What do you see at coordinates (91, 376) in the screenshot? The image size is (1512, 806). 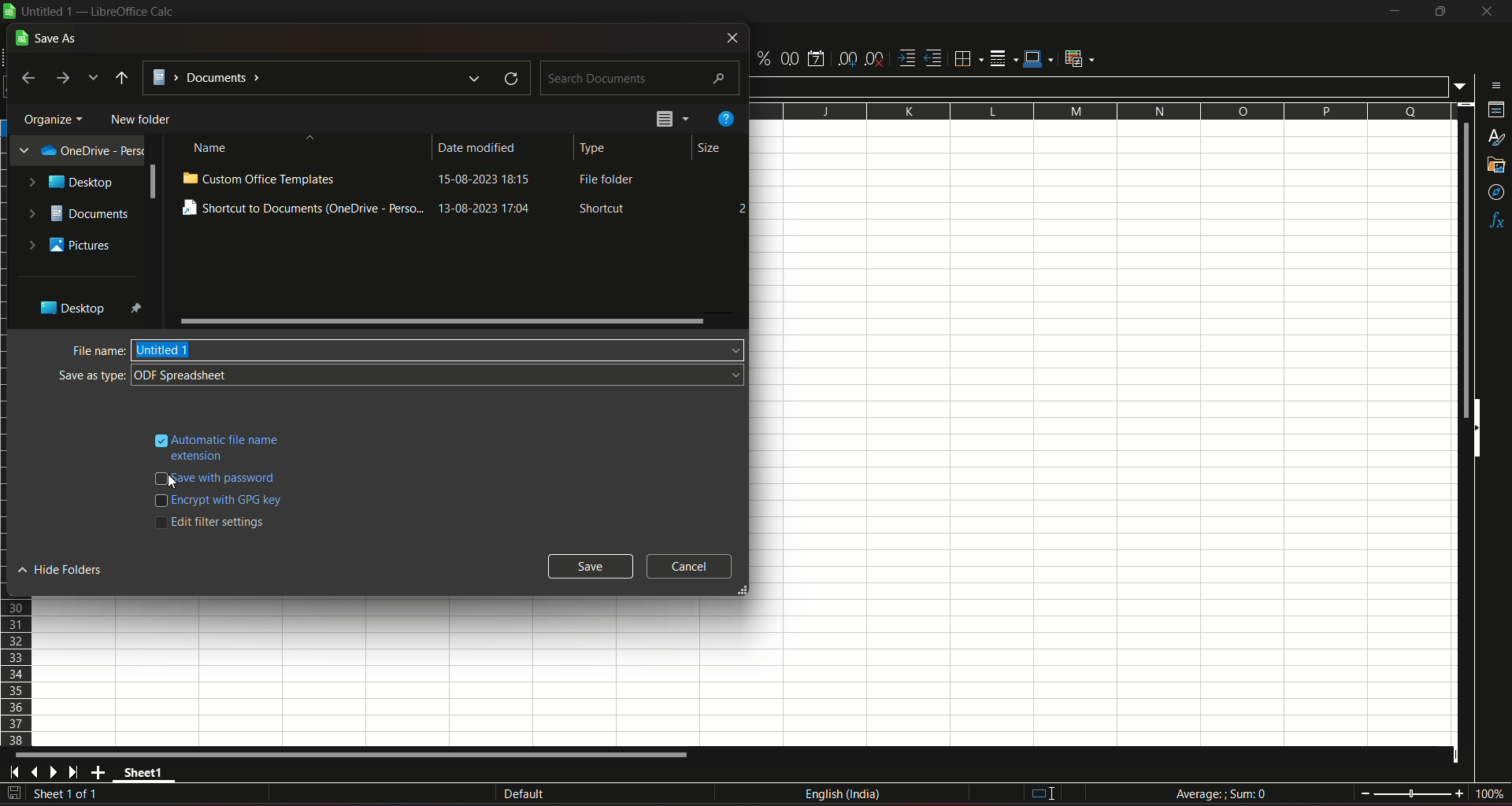 I see `save as type:` at bounding box center [91, 376].